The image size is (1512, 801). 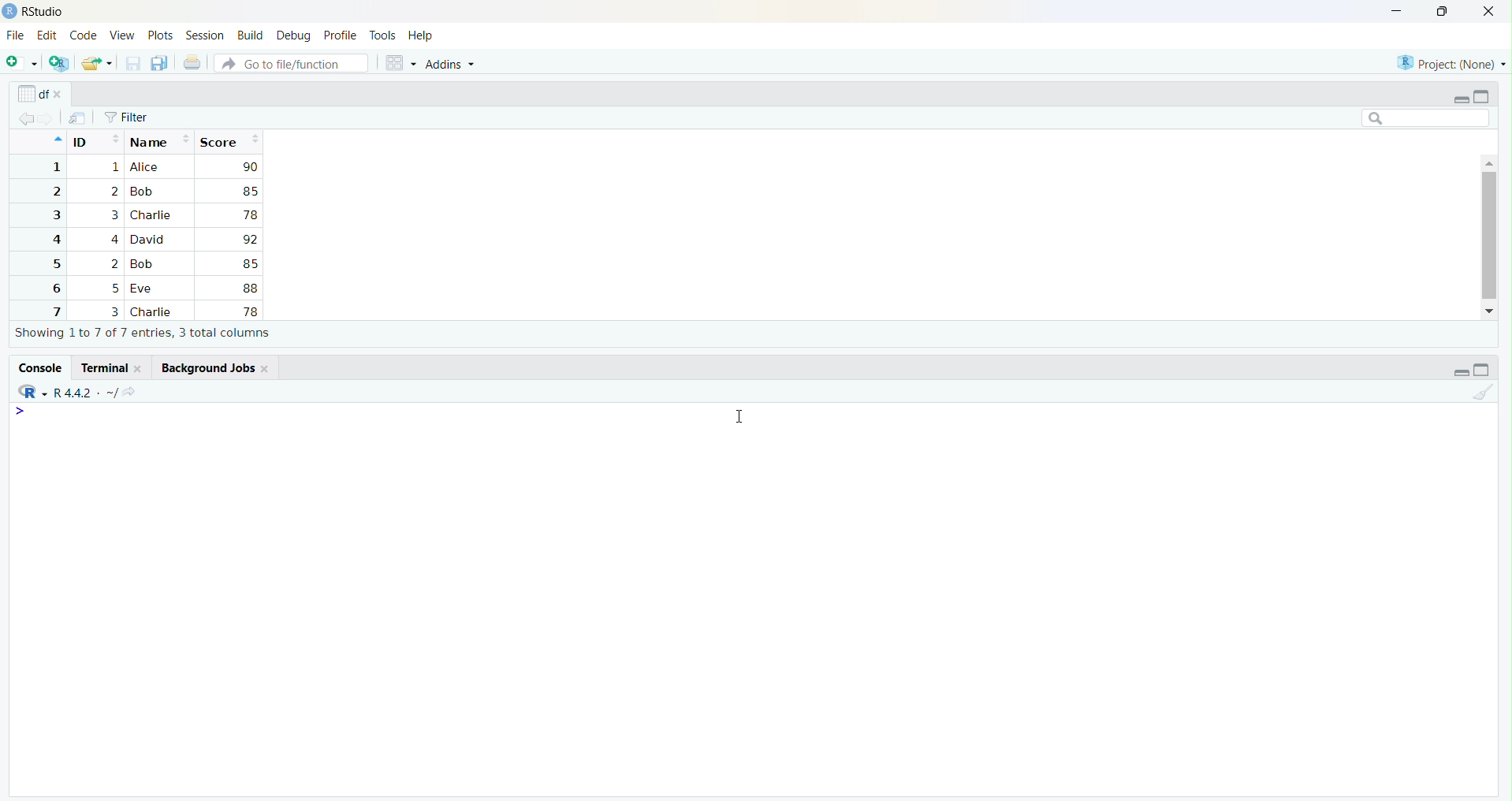 I want to click on 3, so click(x=114, y=311).